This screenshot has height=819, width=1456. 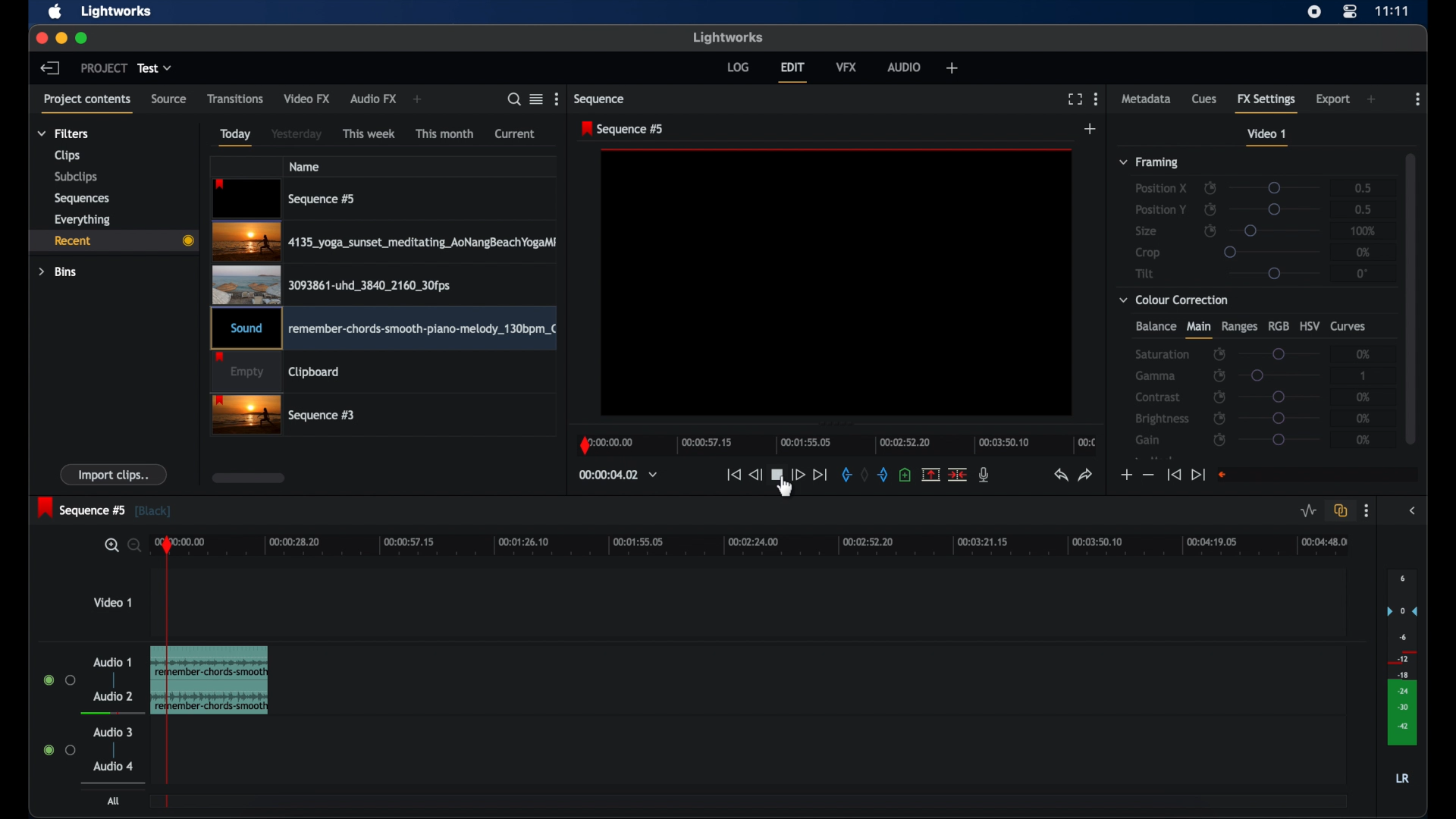 I want to click on in mark, so click(x=843, y=475).